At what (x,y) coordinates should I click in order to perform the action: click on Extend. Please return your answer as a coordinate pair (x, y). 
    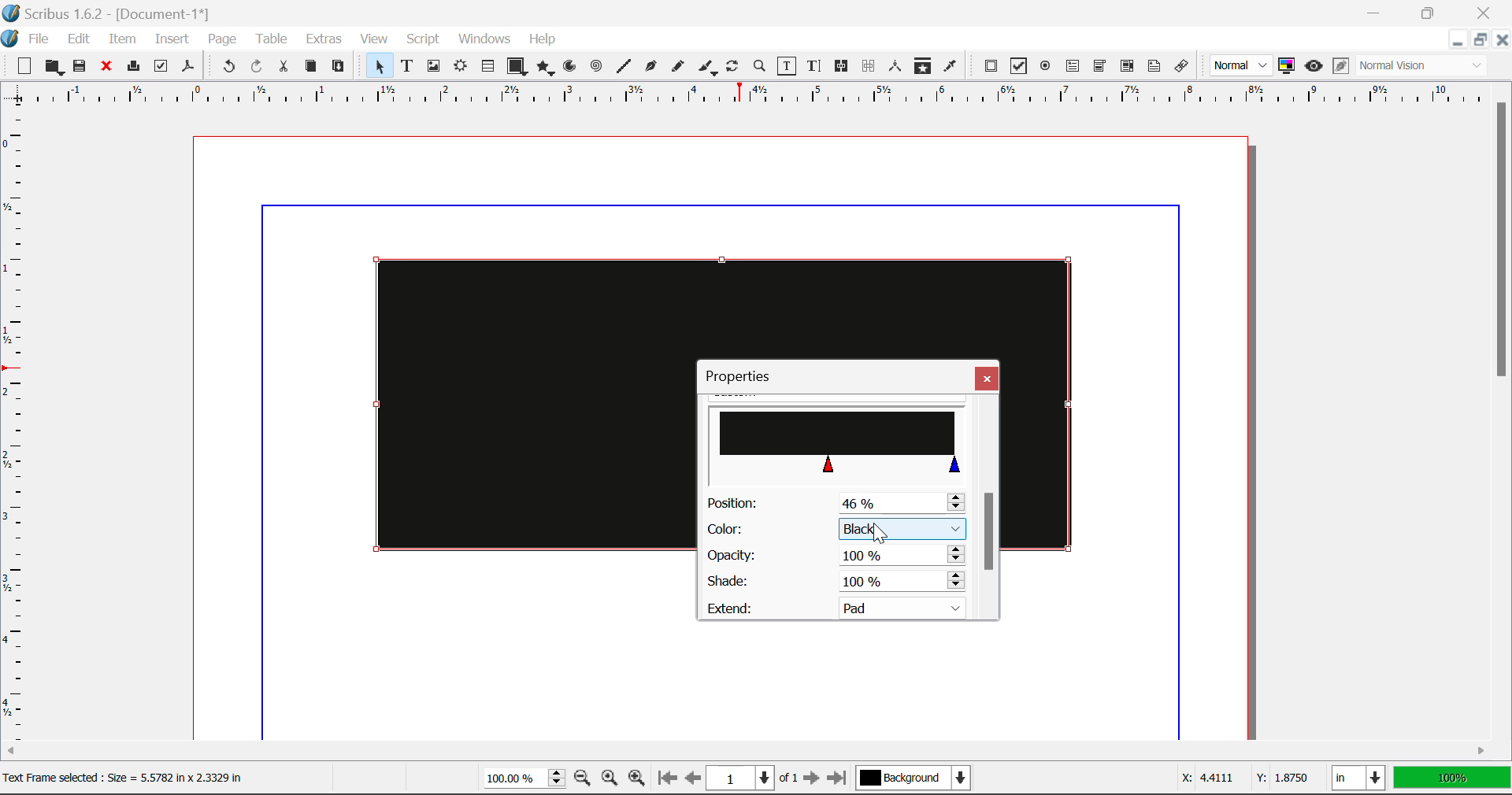
    Looking at the image, I should click on (841, 606).